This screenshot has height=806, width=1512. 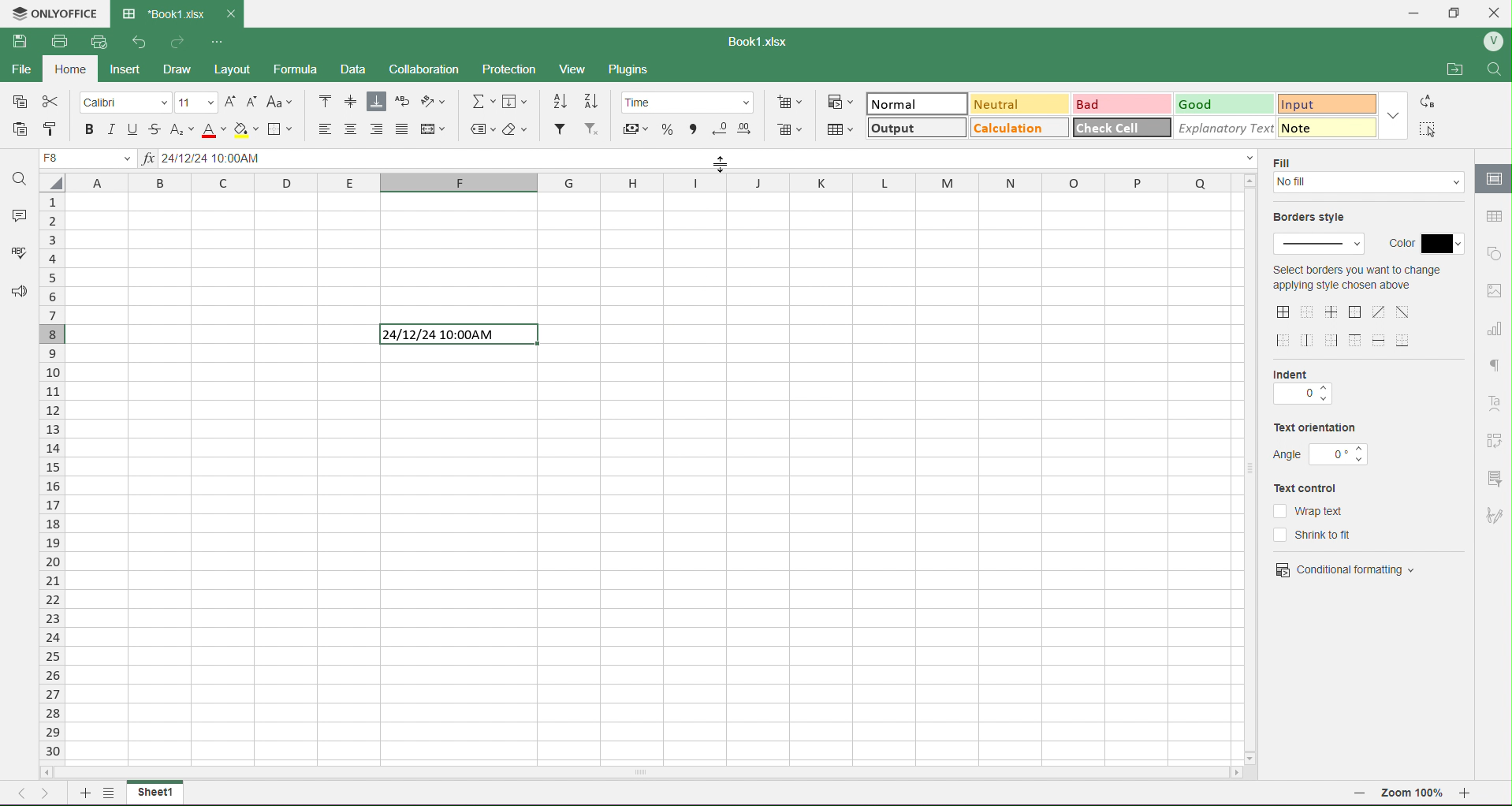 I want to click on zoom out, so click(x=1360, y=796).